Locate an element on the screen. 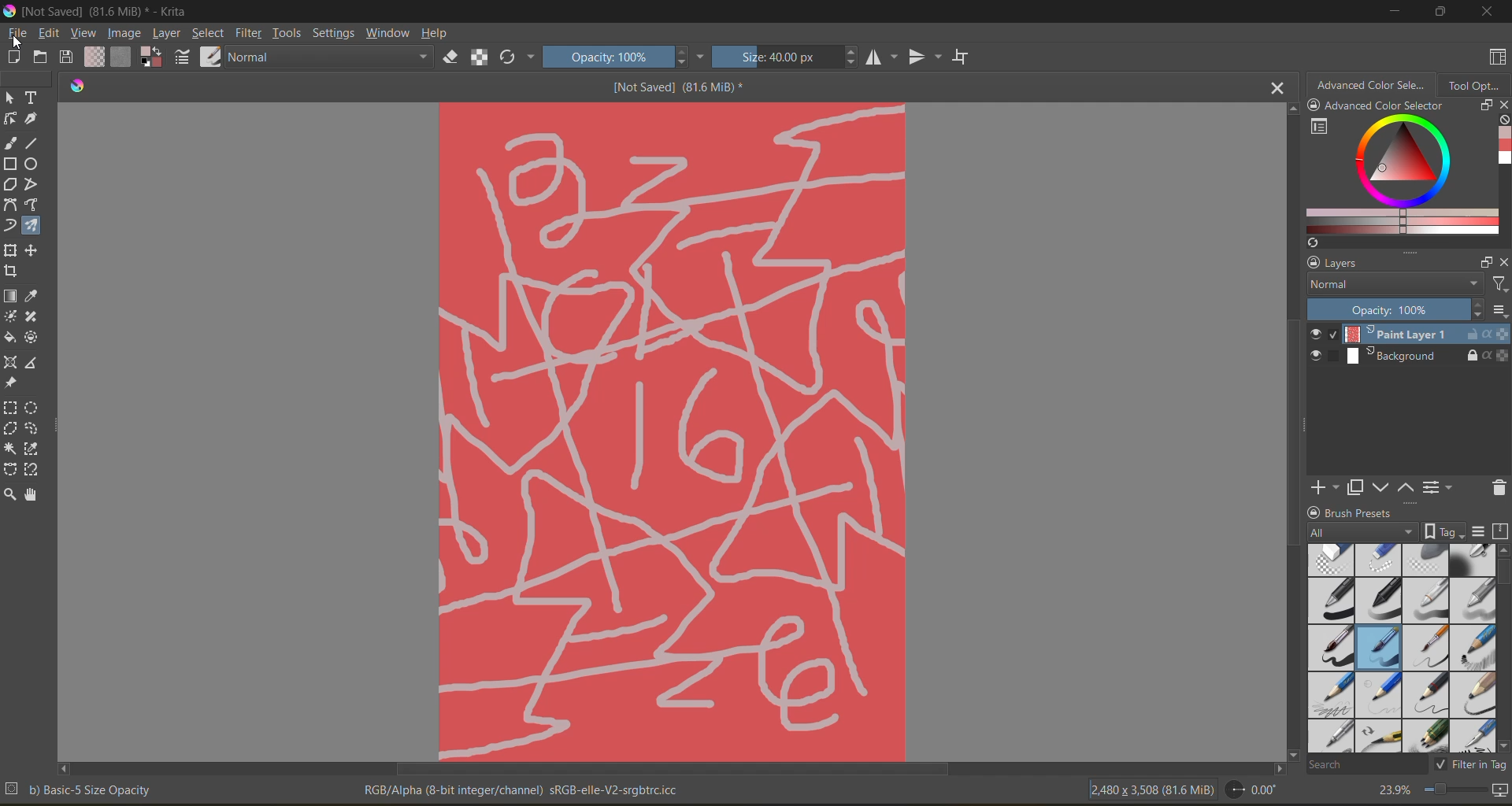 This screenshot has height=806, width=1512. zoom factor is located at coordinates (1392, 791).